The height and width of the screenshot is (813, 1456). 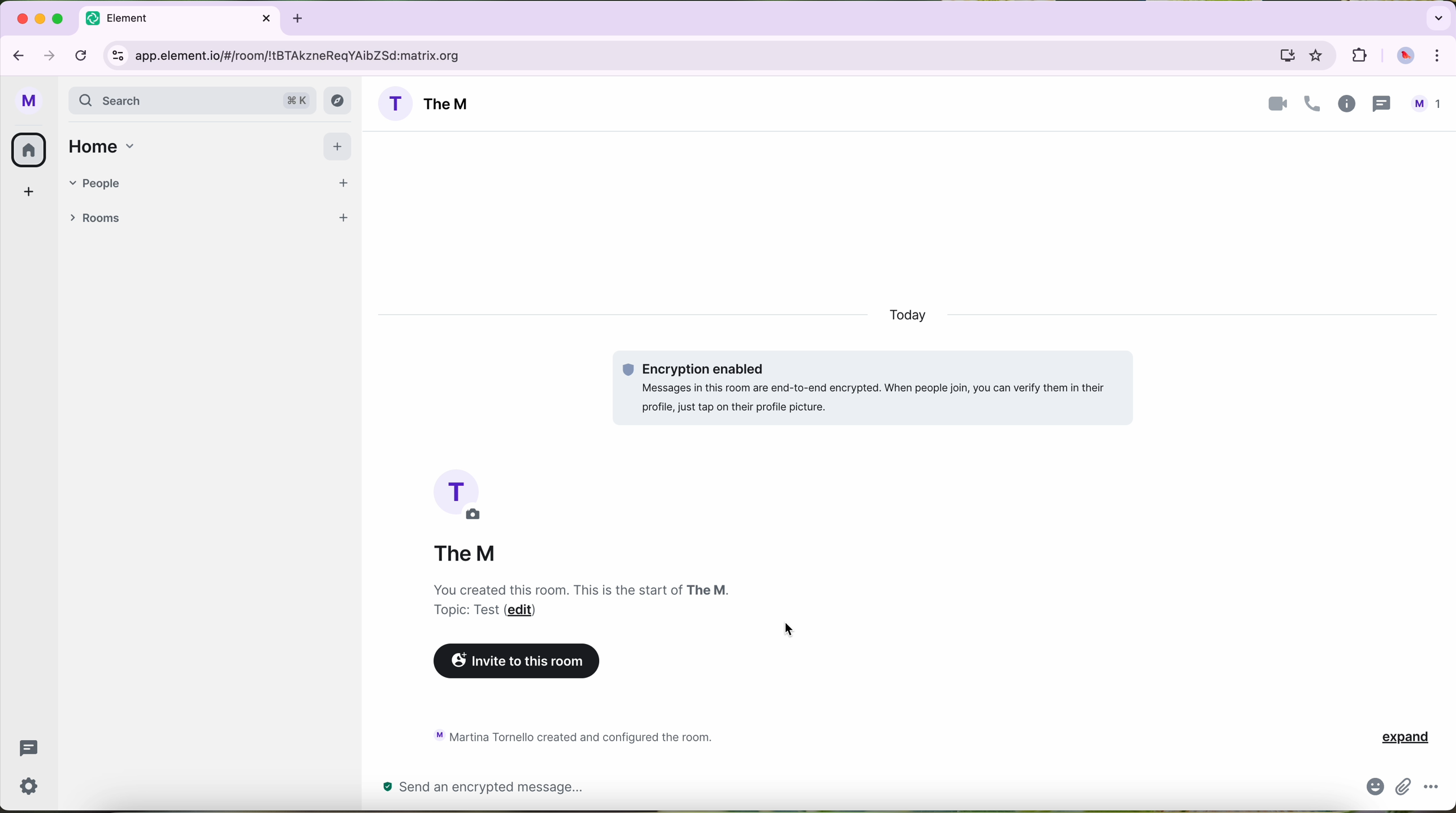 I want to click on threads, so click(x=28, y=750).